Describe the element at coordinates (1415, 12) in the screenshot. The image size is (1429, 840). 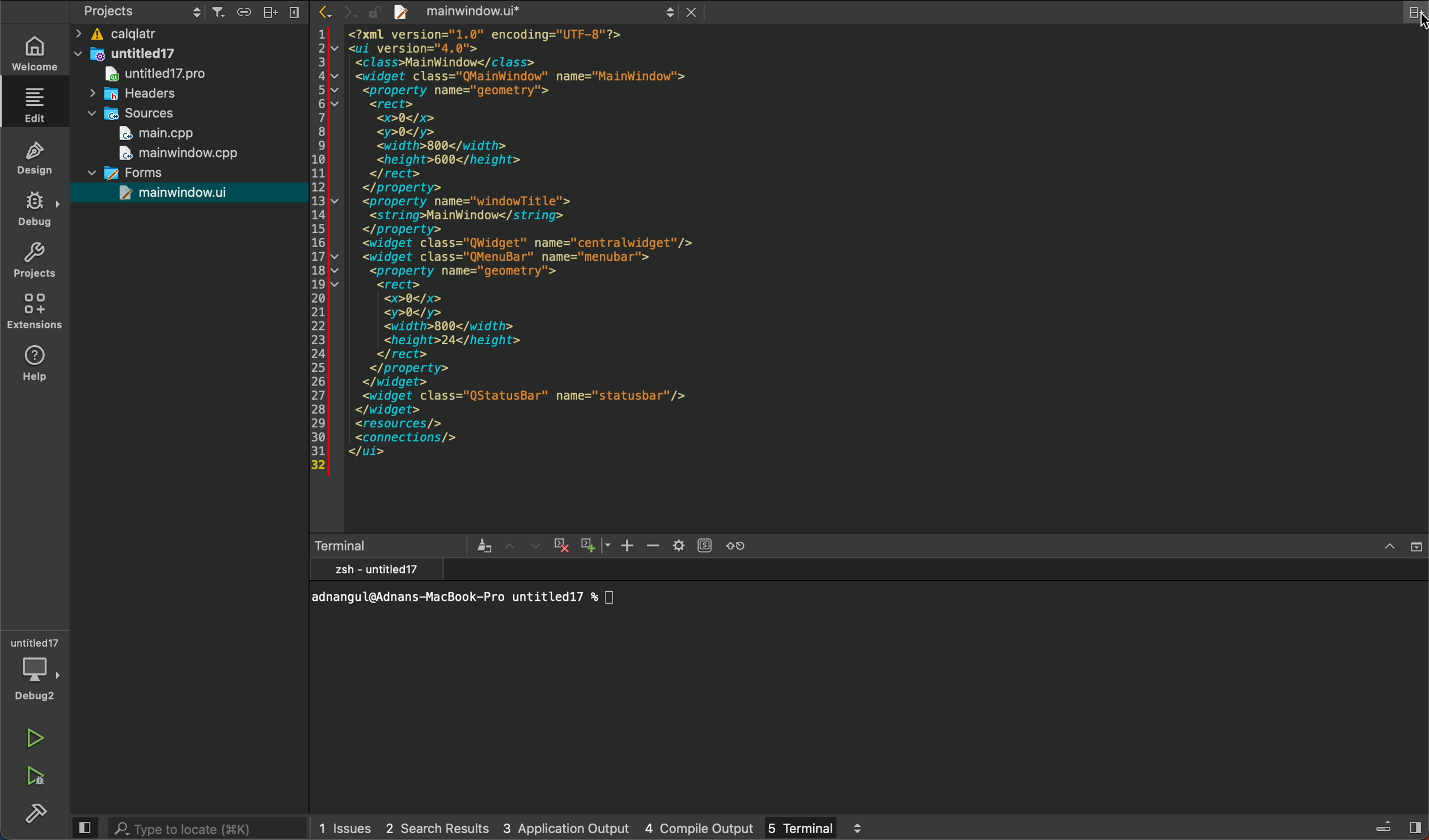
I see `split` at that location.